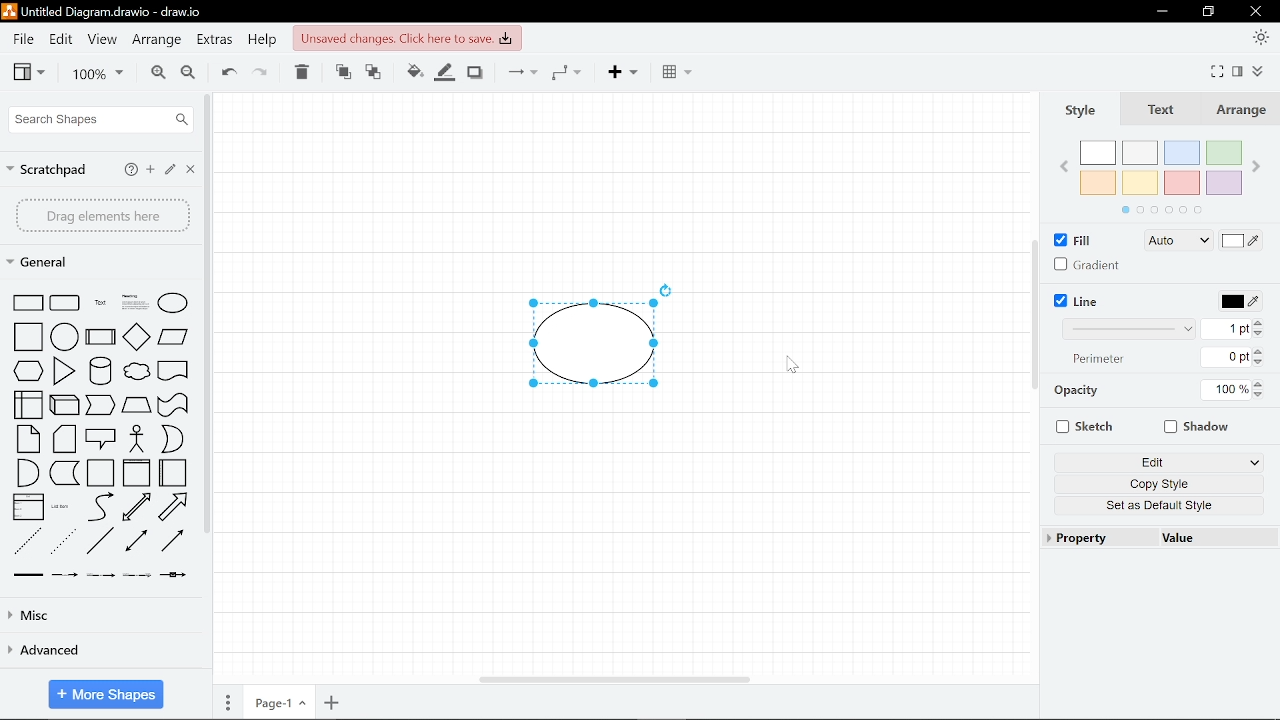 Image resolution: width=1280 pixels, height=720 pixels. I want to click on Sketch, so click(1081, 426).